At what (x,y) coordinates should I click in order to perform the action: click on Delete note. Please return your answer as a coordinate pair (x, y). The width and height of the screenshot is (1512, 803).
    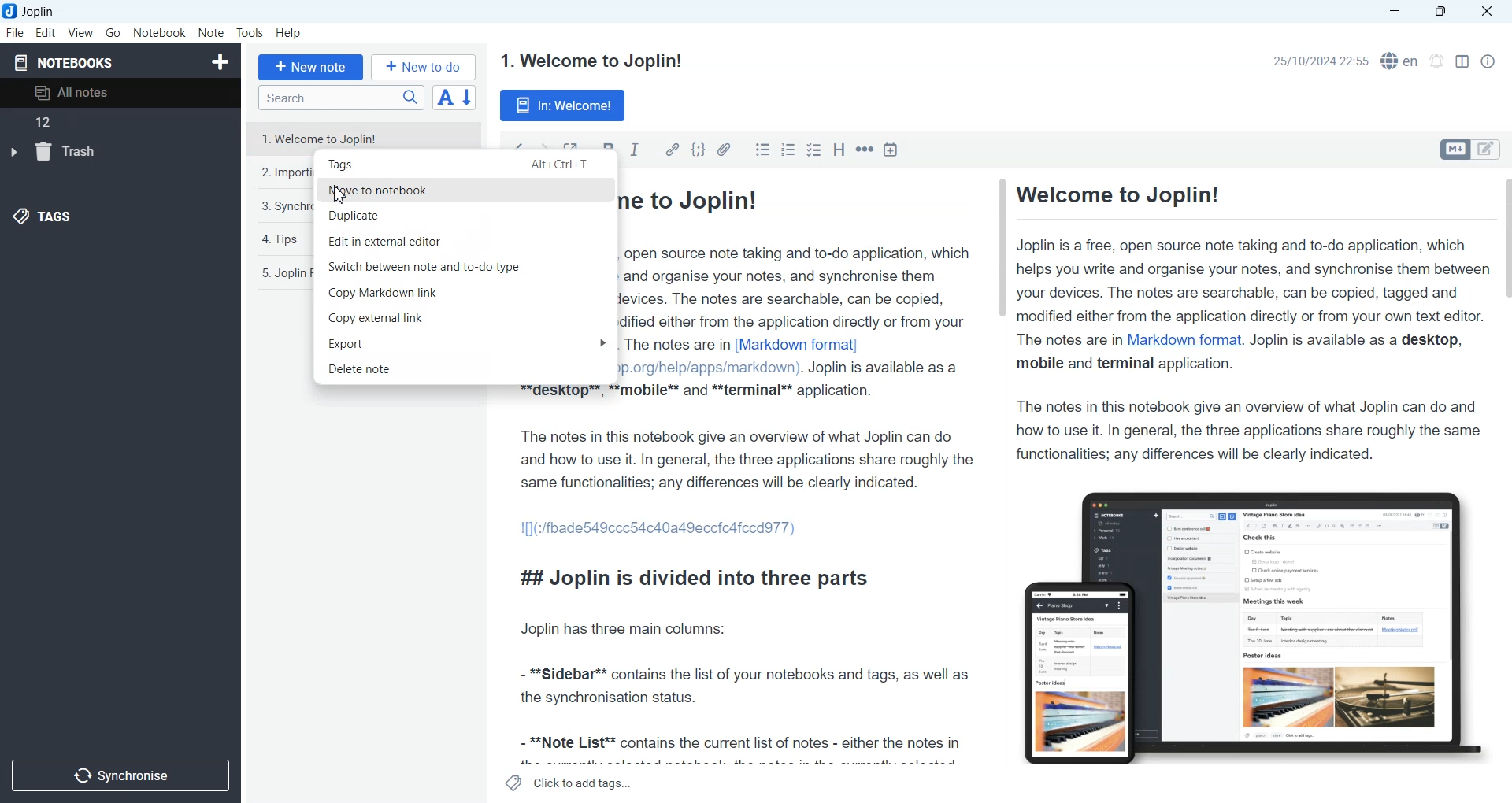
    Looking at the image, I should click on (466, 369).